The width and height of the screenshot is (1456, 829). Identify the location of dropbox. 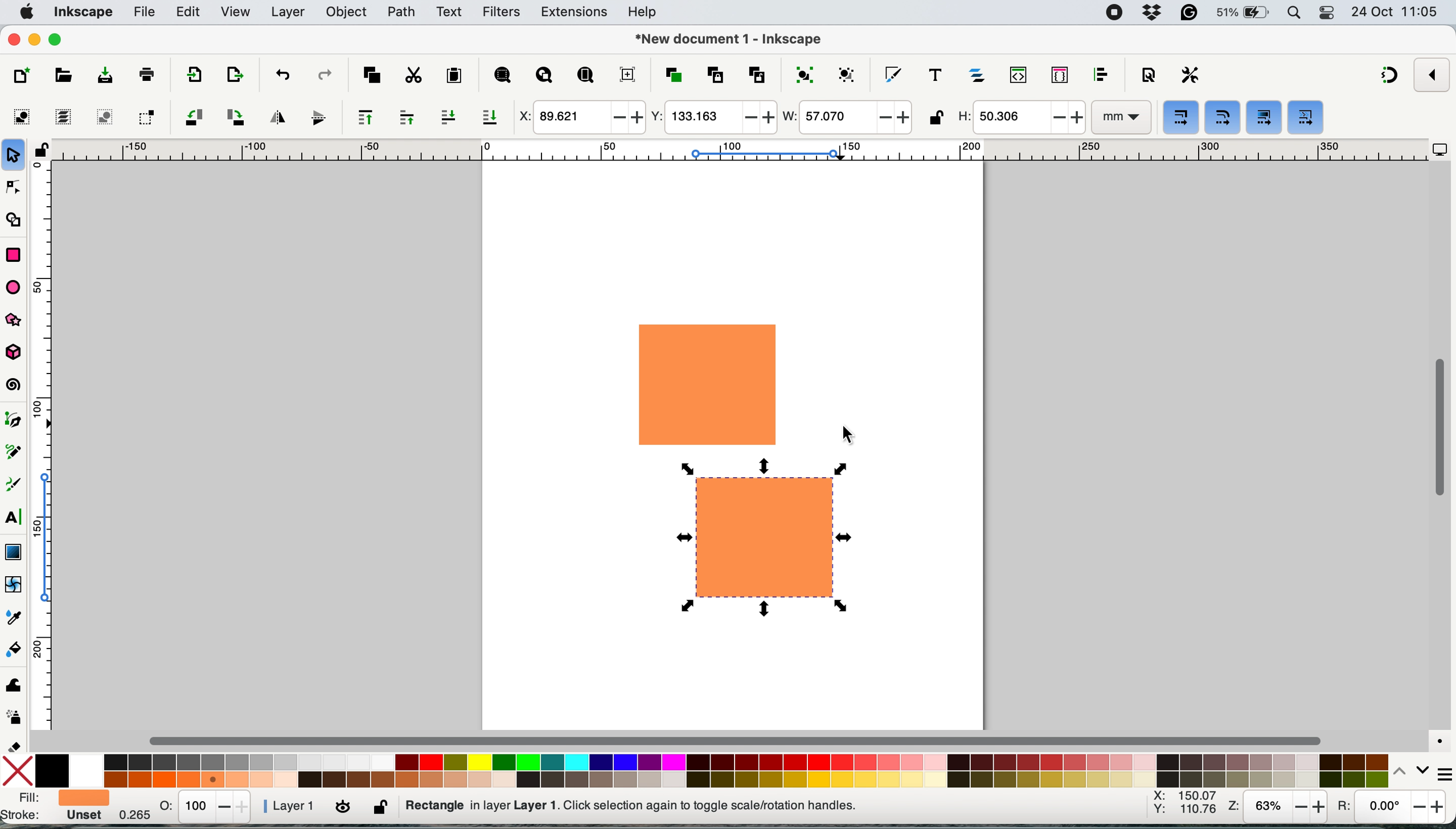
(1154, 13).